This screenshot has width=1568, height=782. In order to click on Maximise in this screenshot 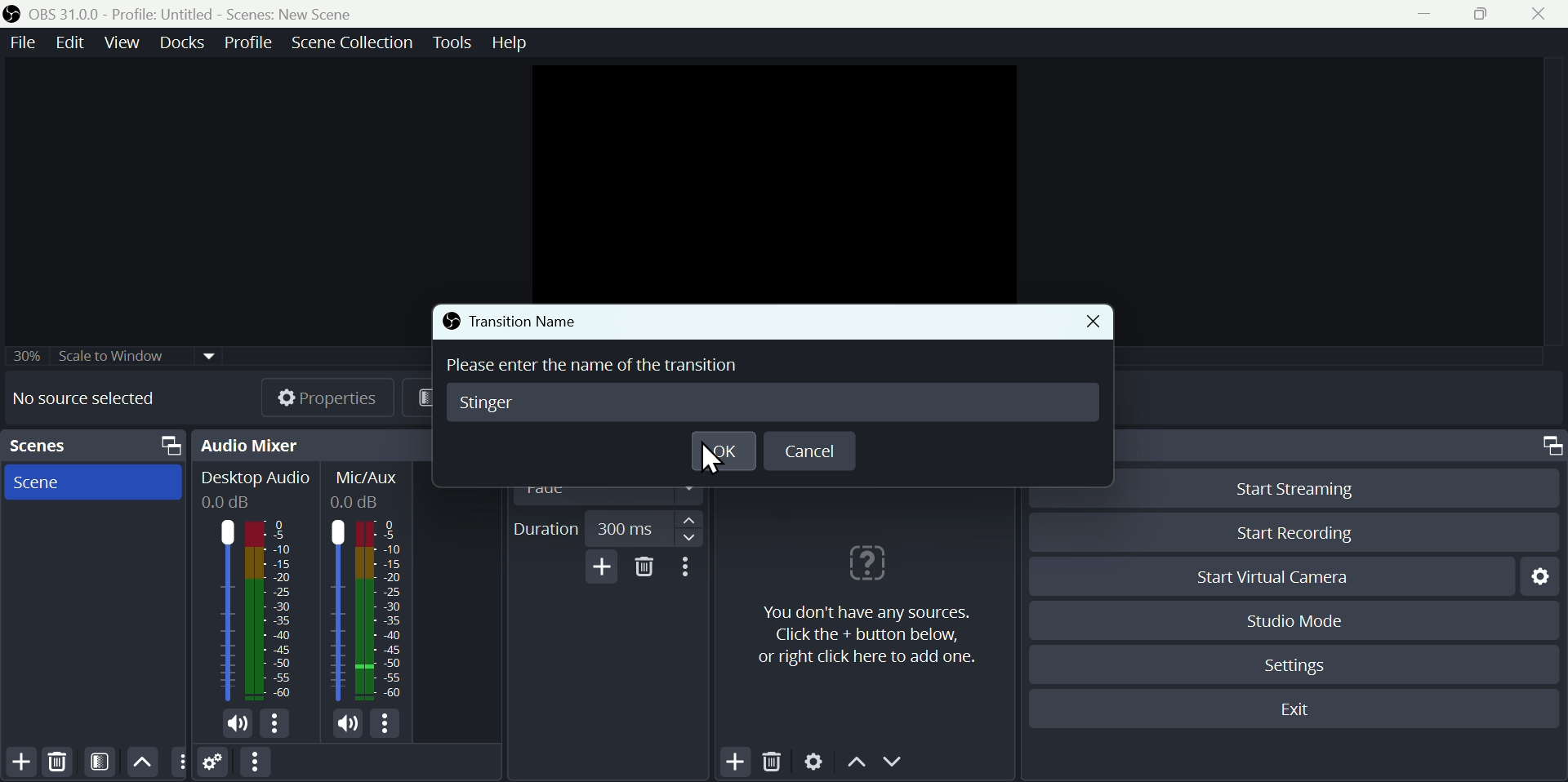, I will do `click(1488, 15)`.